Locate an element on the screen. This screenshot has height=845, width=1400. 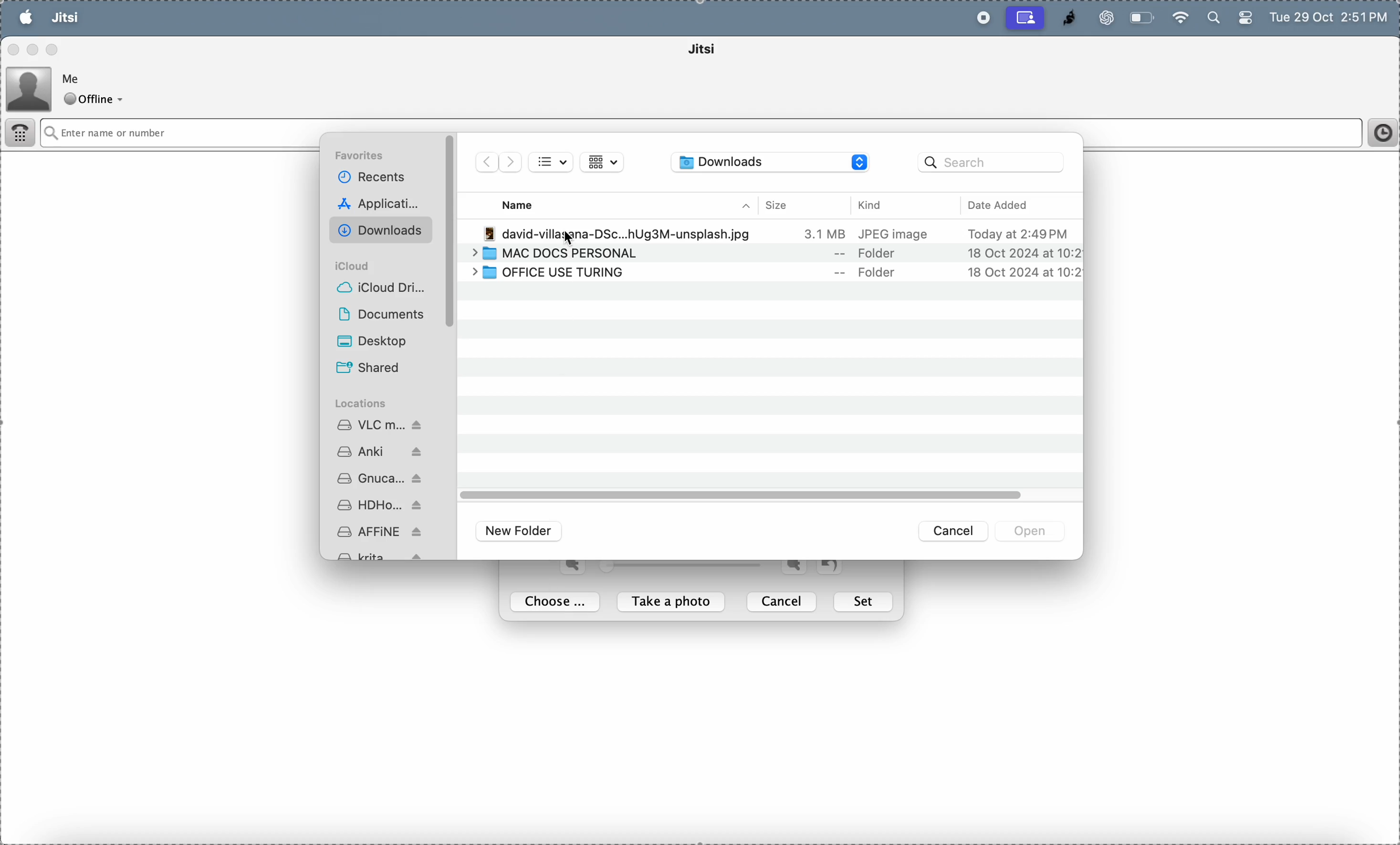
recent is located at coordinates (378, 178).